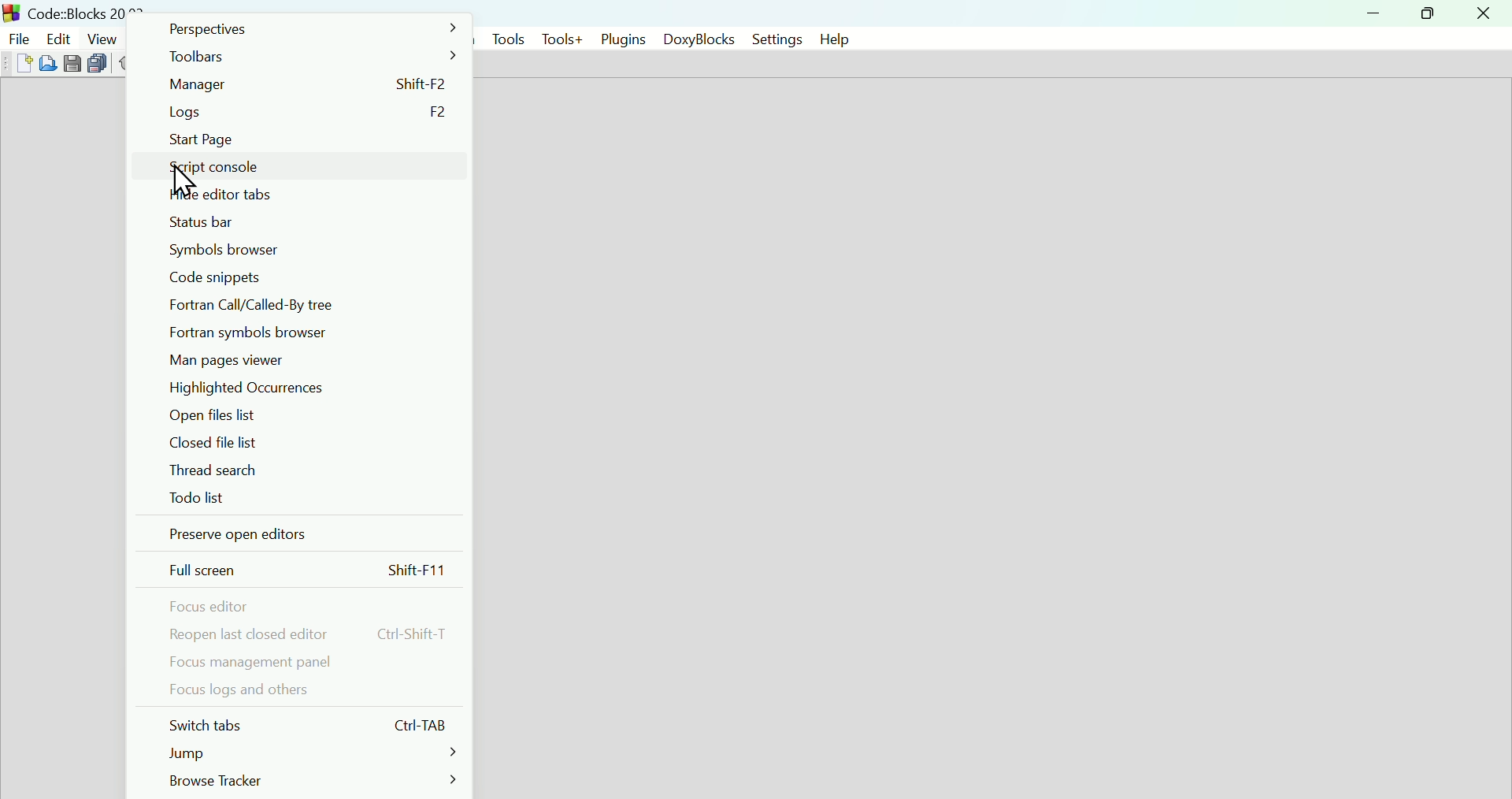  I want to click on Close, so click(1483, 13).